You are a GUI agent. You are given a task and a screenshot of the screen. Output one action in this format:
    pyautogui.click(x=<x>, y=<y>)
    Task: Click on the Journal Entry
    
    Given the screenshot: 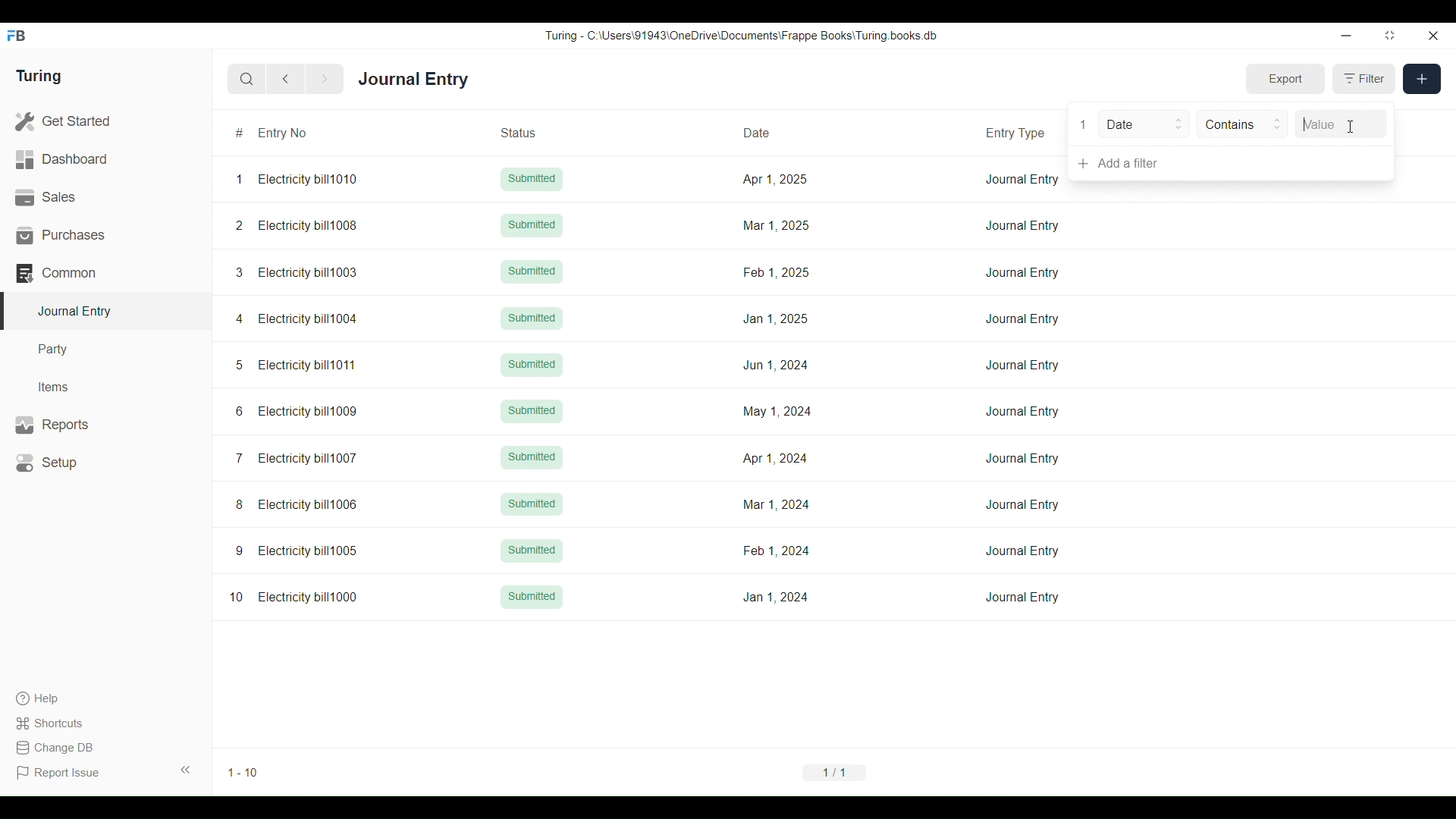 What is the action you would take?
    pyautogui.click(x=1022, y=226)
    